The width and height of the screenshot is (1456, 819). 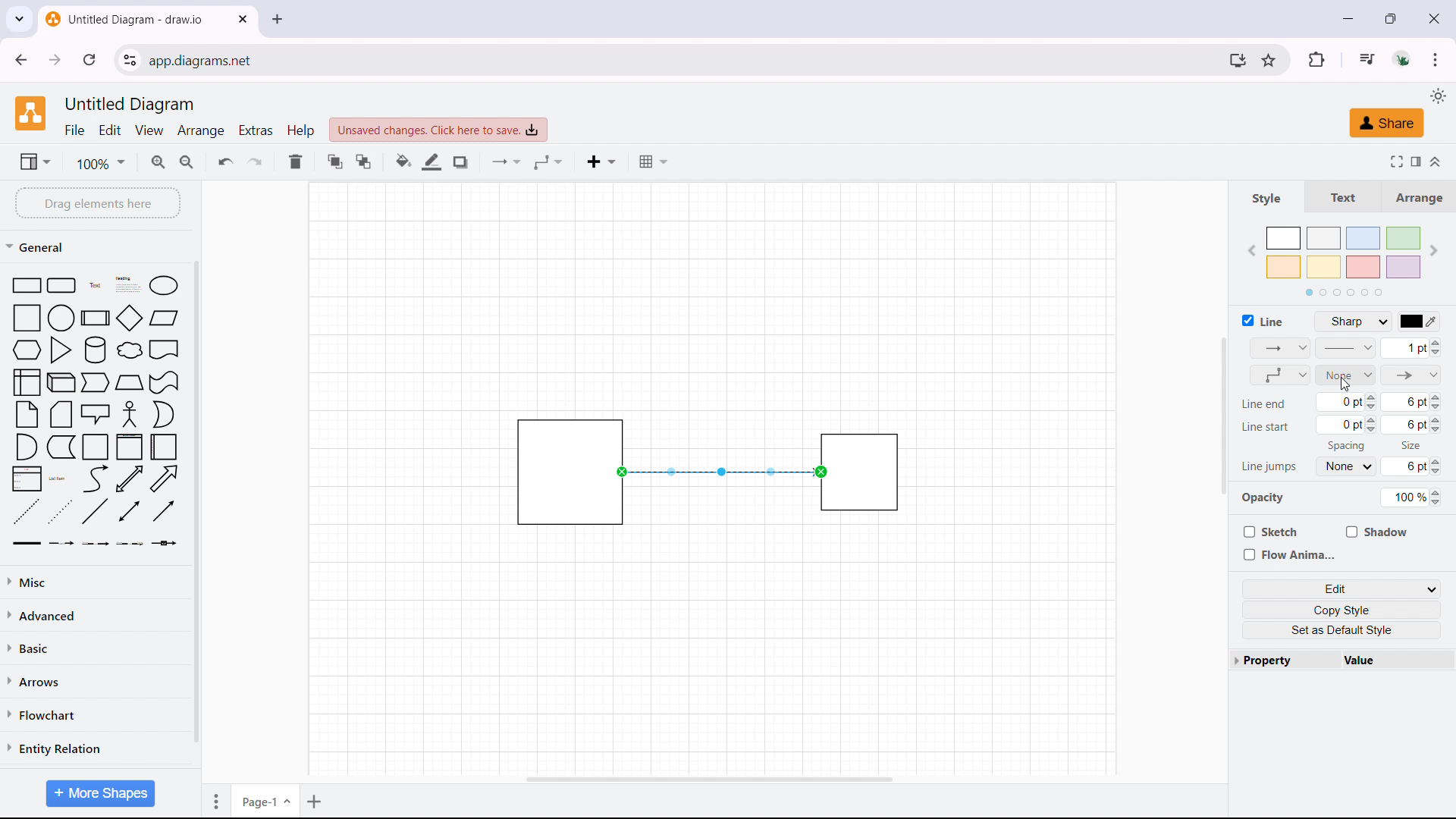 I want to click on maximize, so click(x=1394, y=17).